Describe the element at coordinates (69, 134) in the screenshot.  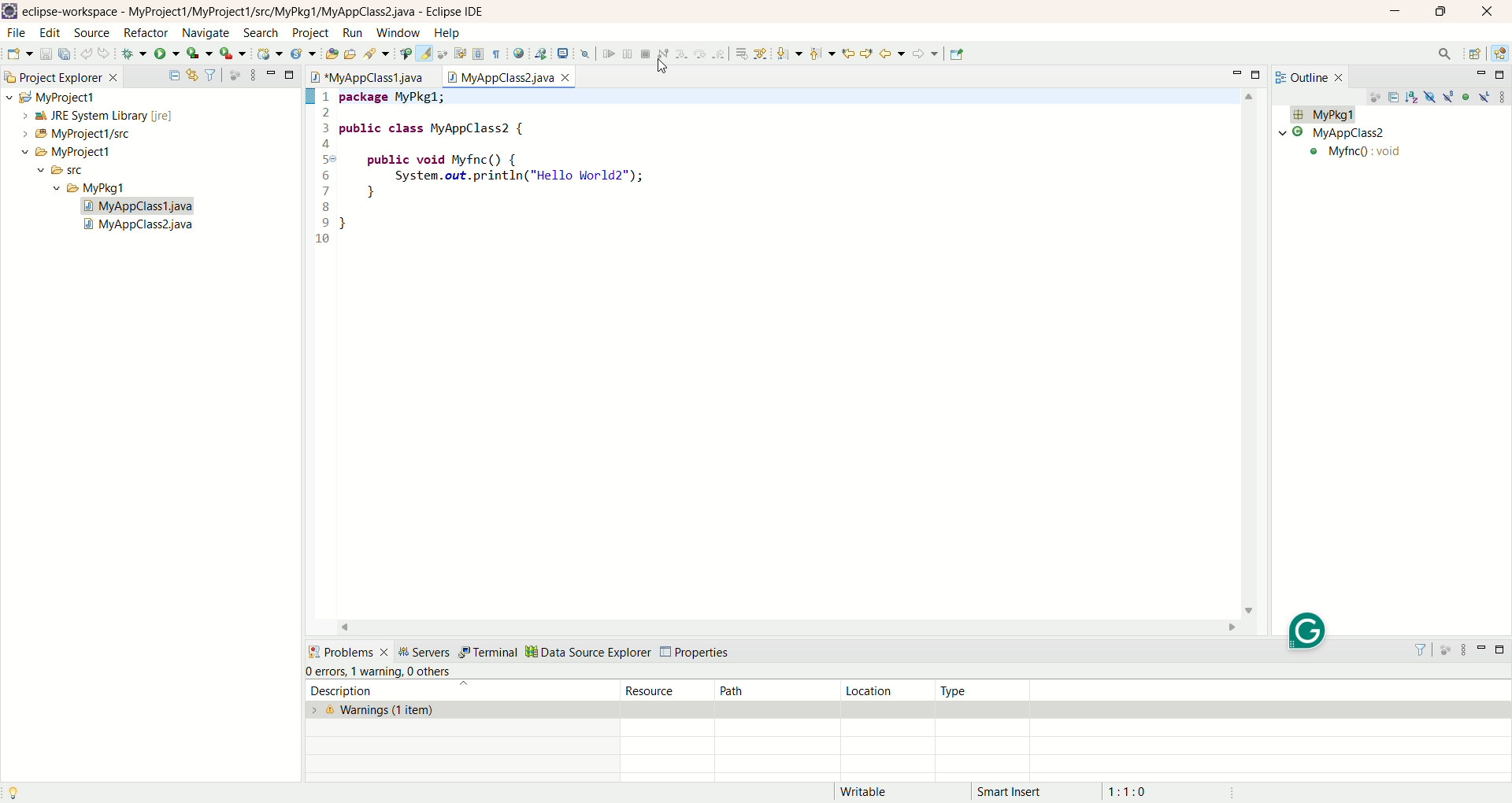
I see `project1/src` at that location.